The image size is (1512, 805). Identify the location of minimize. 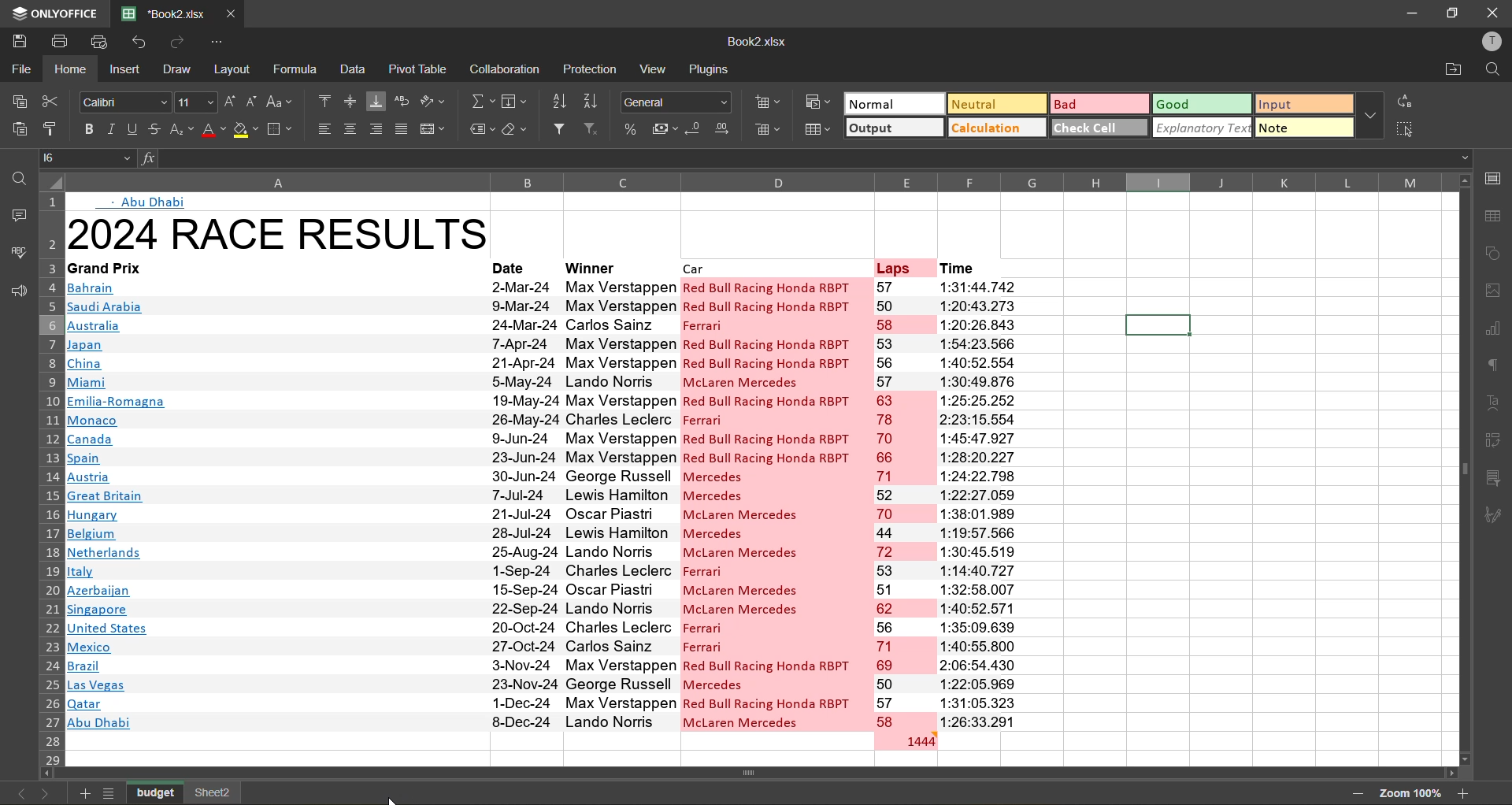
(1406, 14).